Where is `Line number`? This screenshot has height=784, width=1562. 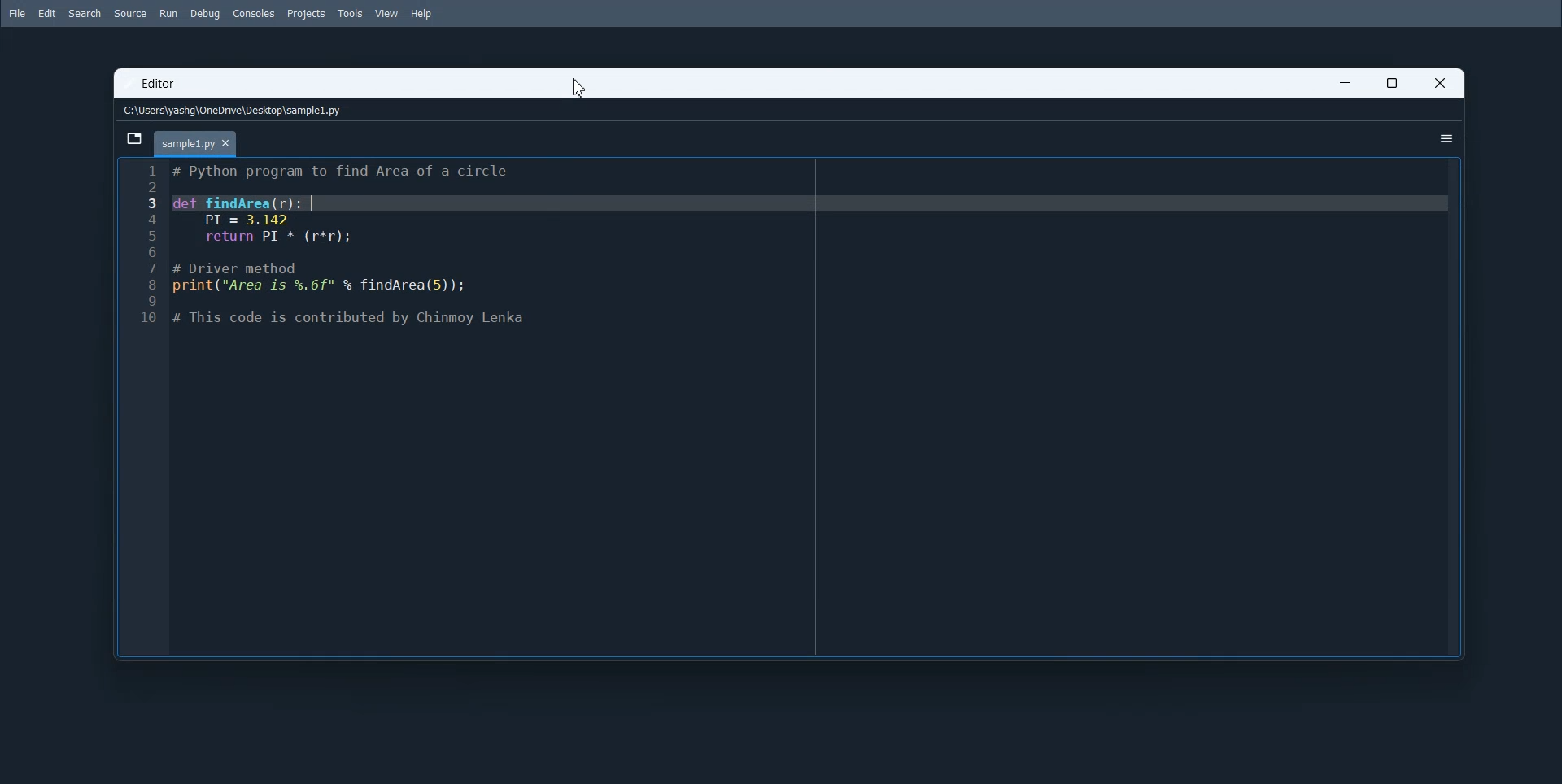
Line number is located at coordinates (144, 407).